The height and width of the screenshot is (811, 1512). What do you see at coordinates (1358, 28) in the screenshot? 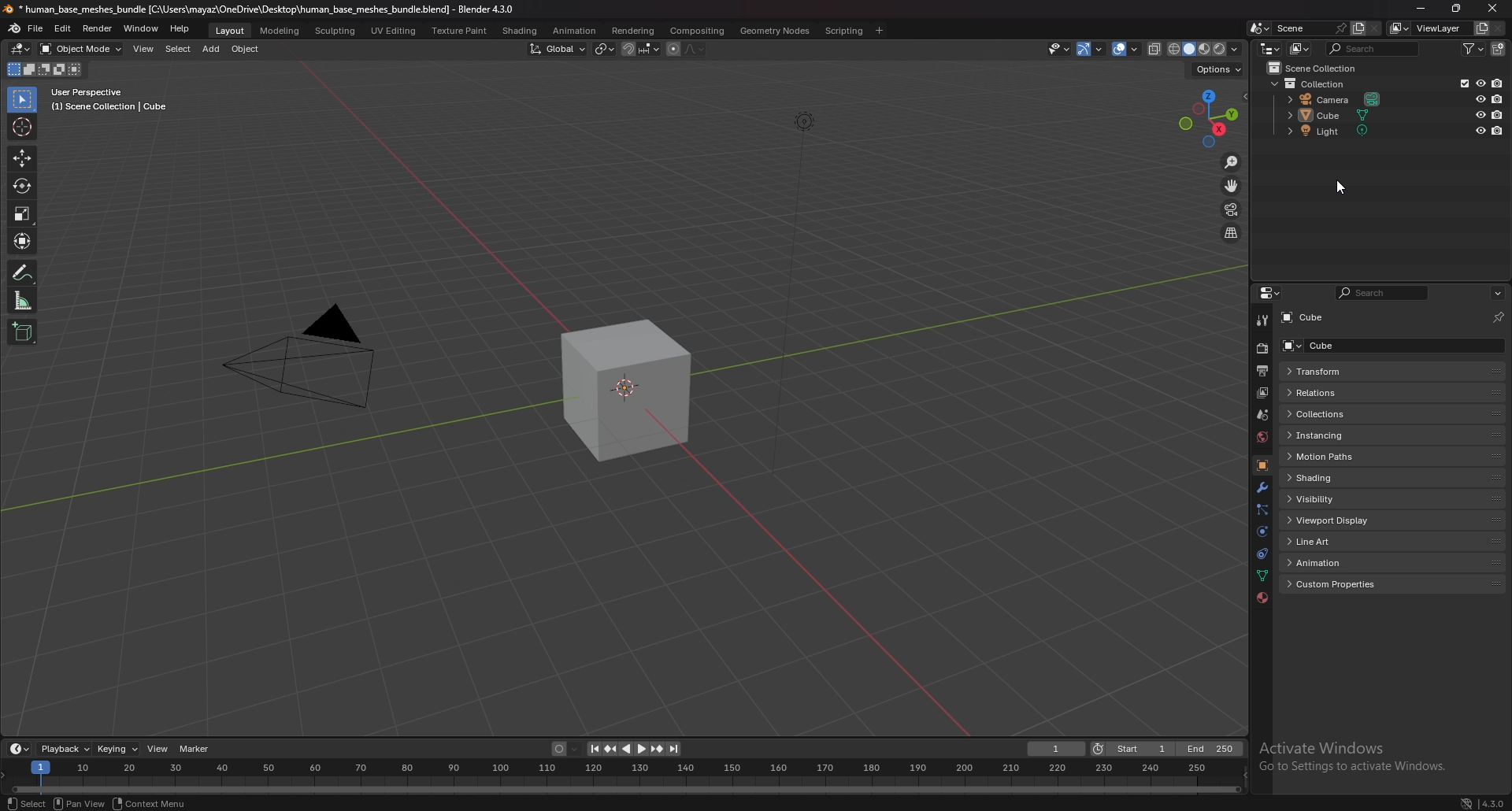
I see `add scene` at bounding box center [1358, 28].